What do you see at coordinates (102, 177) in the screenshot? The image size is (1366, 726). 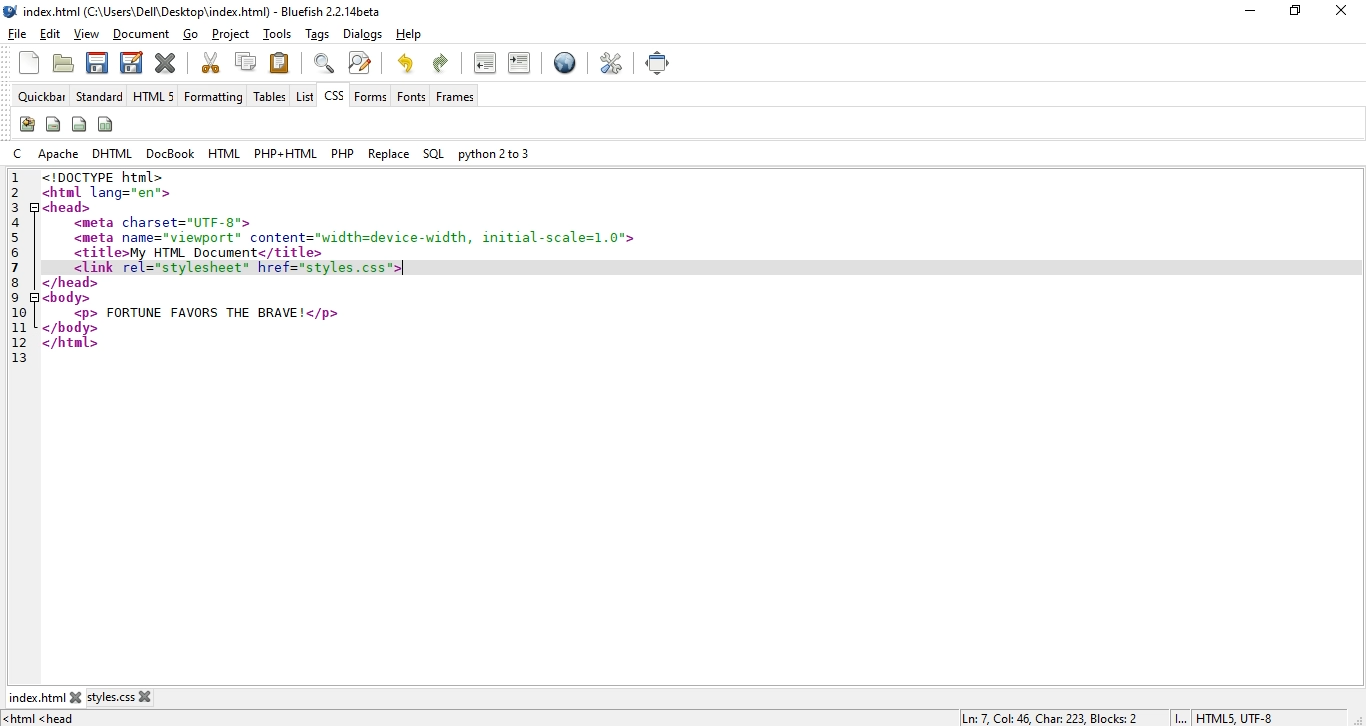 I see `<!DOCTYPE html>` at bounding box center [102, 177].